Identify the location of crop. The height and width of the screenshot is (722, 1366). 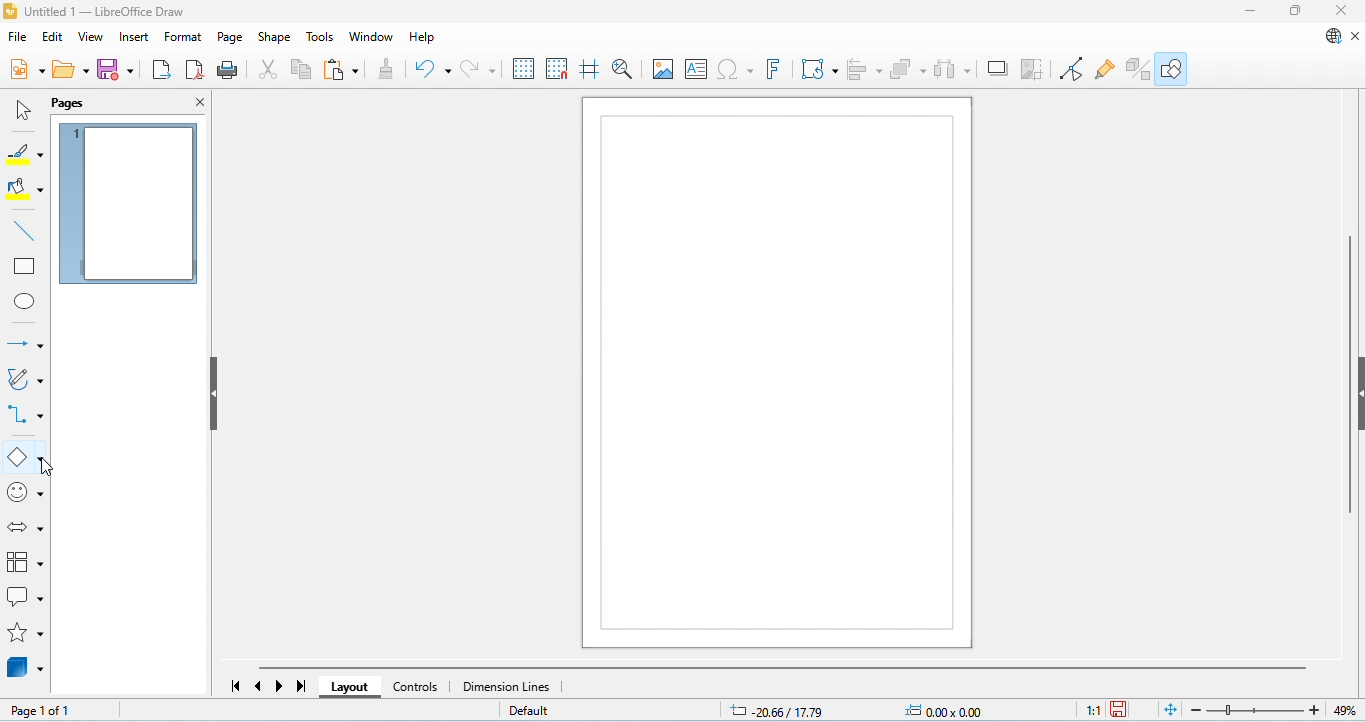
(997, 68).